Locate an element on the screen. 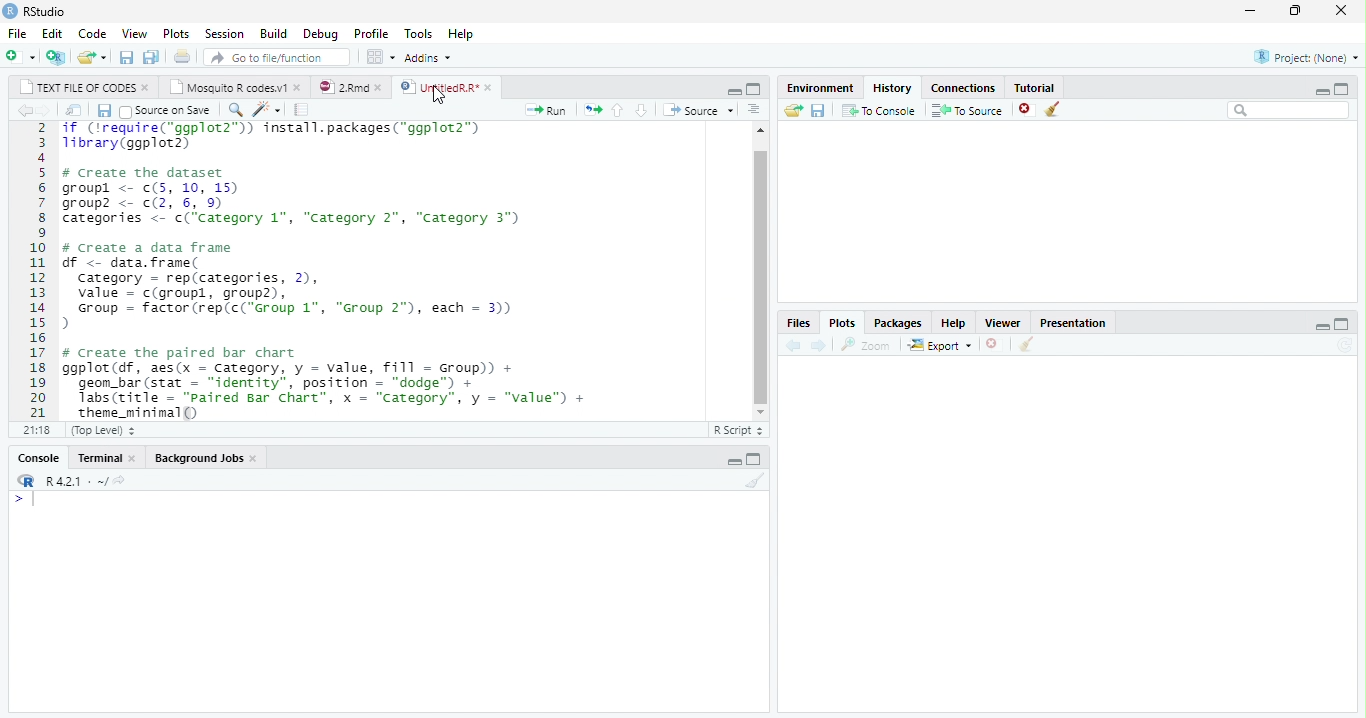 The width and height of the screenshot is (1366, 718). profile is located at coordinates (370, 32).